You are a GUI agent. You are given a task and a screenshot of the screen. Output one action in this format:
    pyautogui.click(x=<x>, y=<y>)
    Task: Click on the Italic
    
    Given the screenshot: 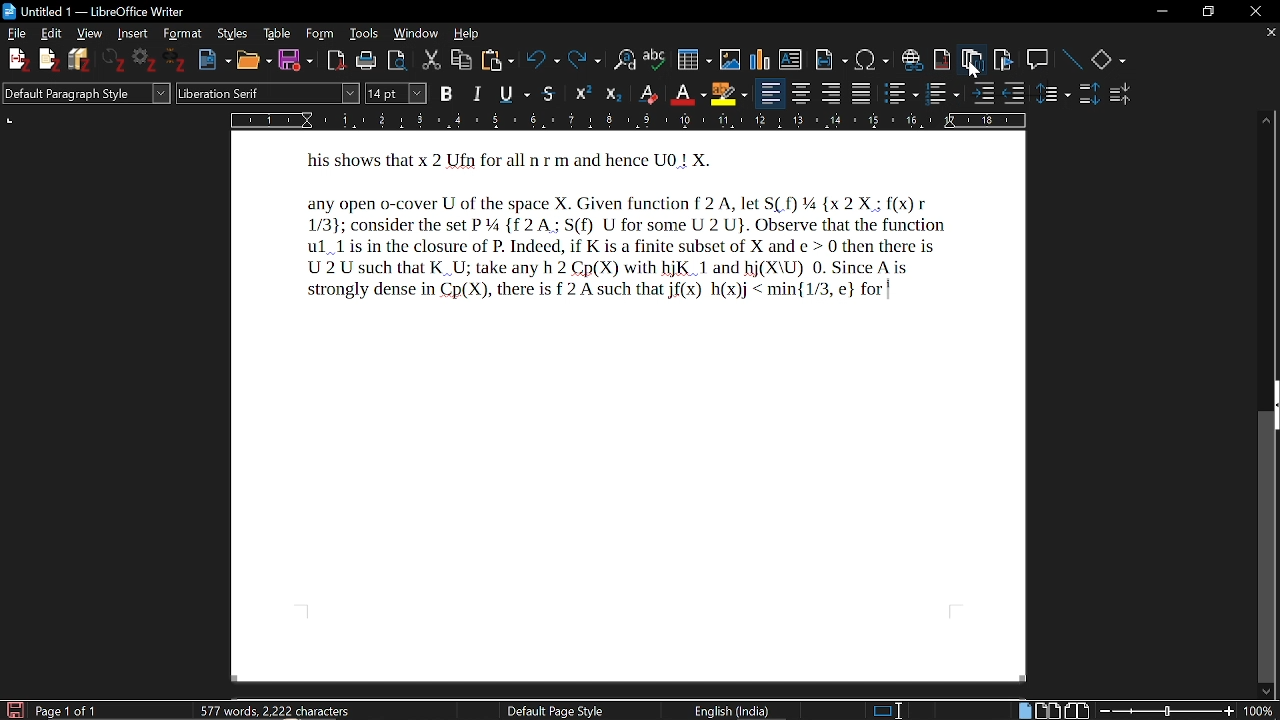 What is the action you would take?
    pyautogui.click(x=481, y=93)
    